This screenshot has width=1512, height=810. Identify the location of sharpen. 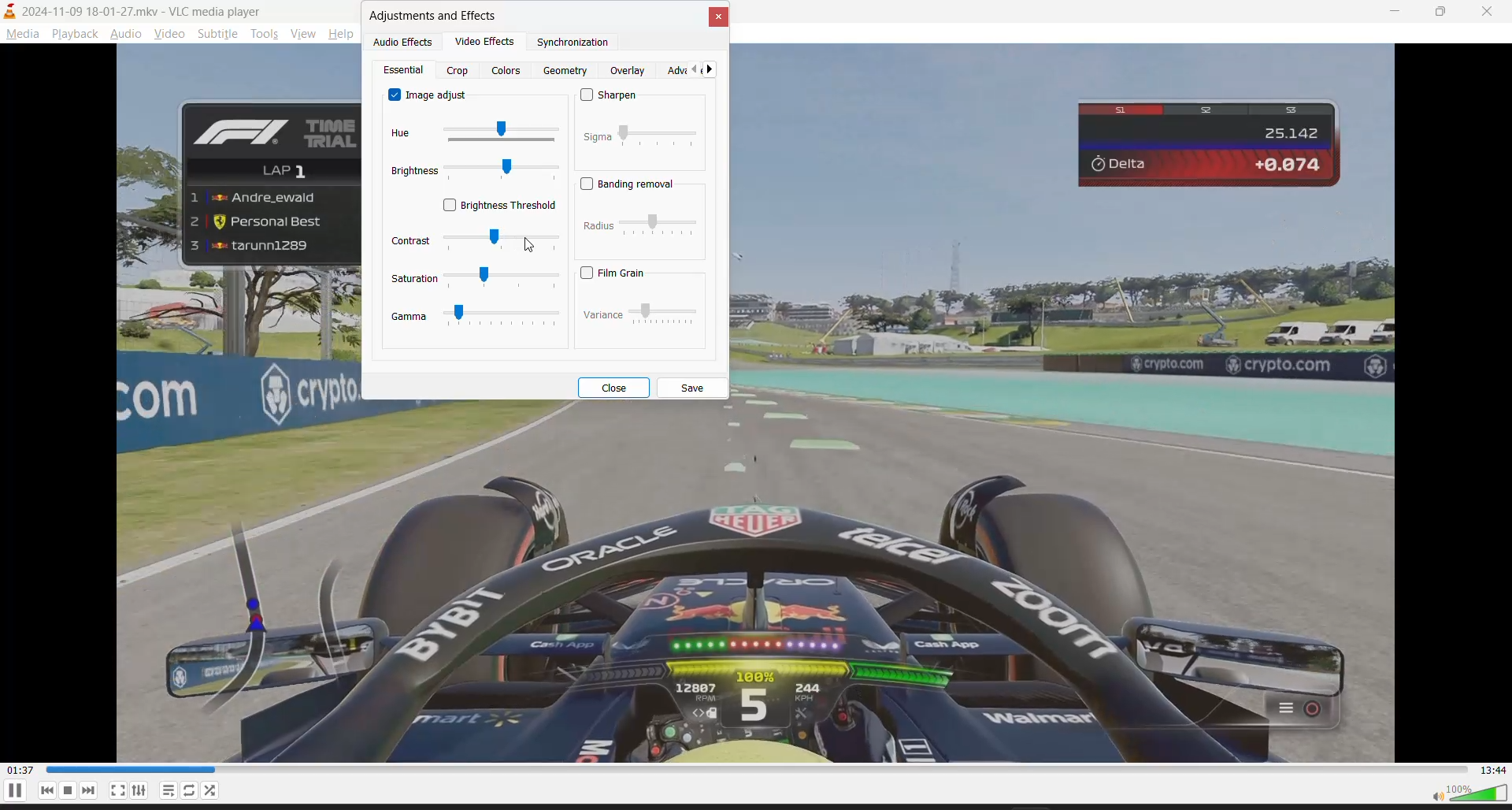
(616, 96).